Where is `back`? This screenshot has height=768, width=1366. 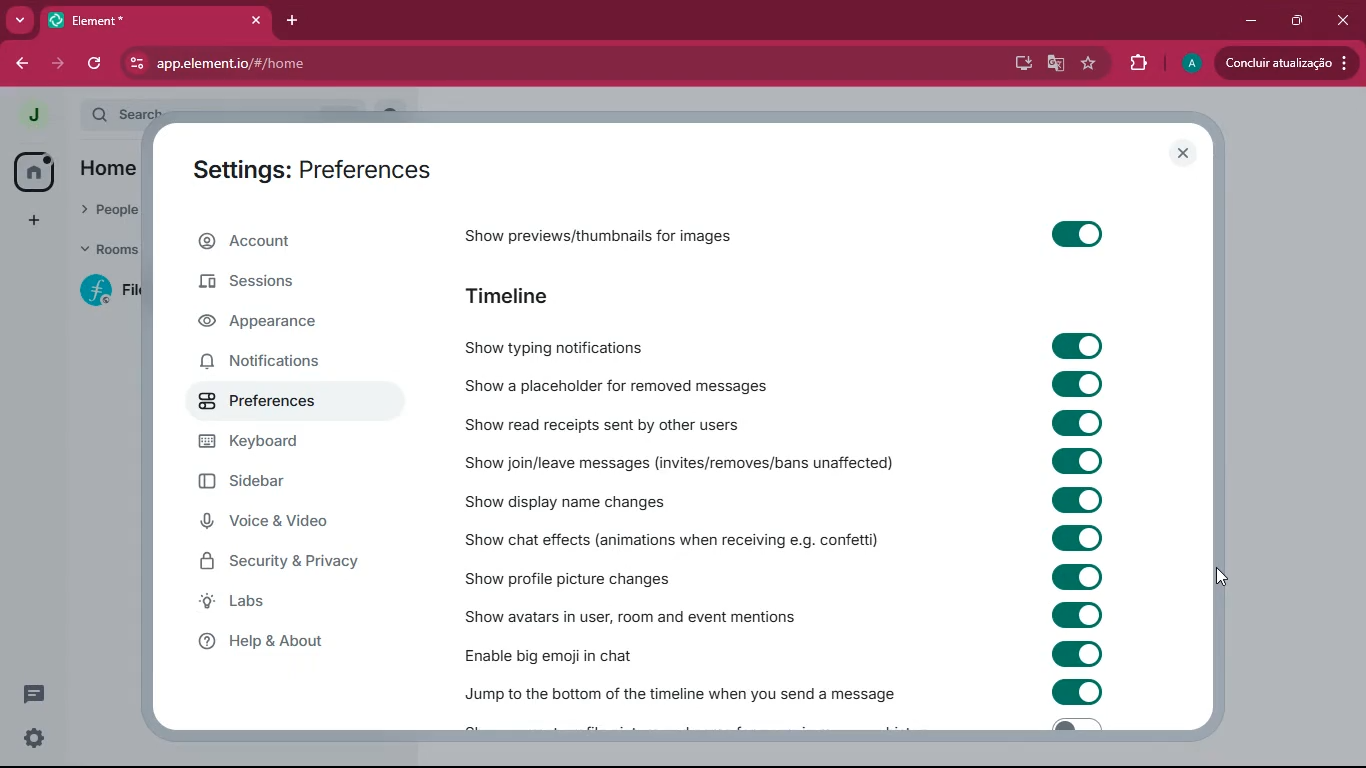 back is located at coordinates (19, 63).